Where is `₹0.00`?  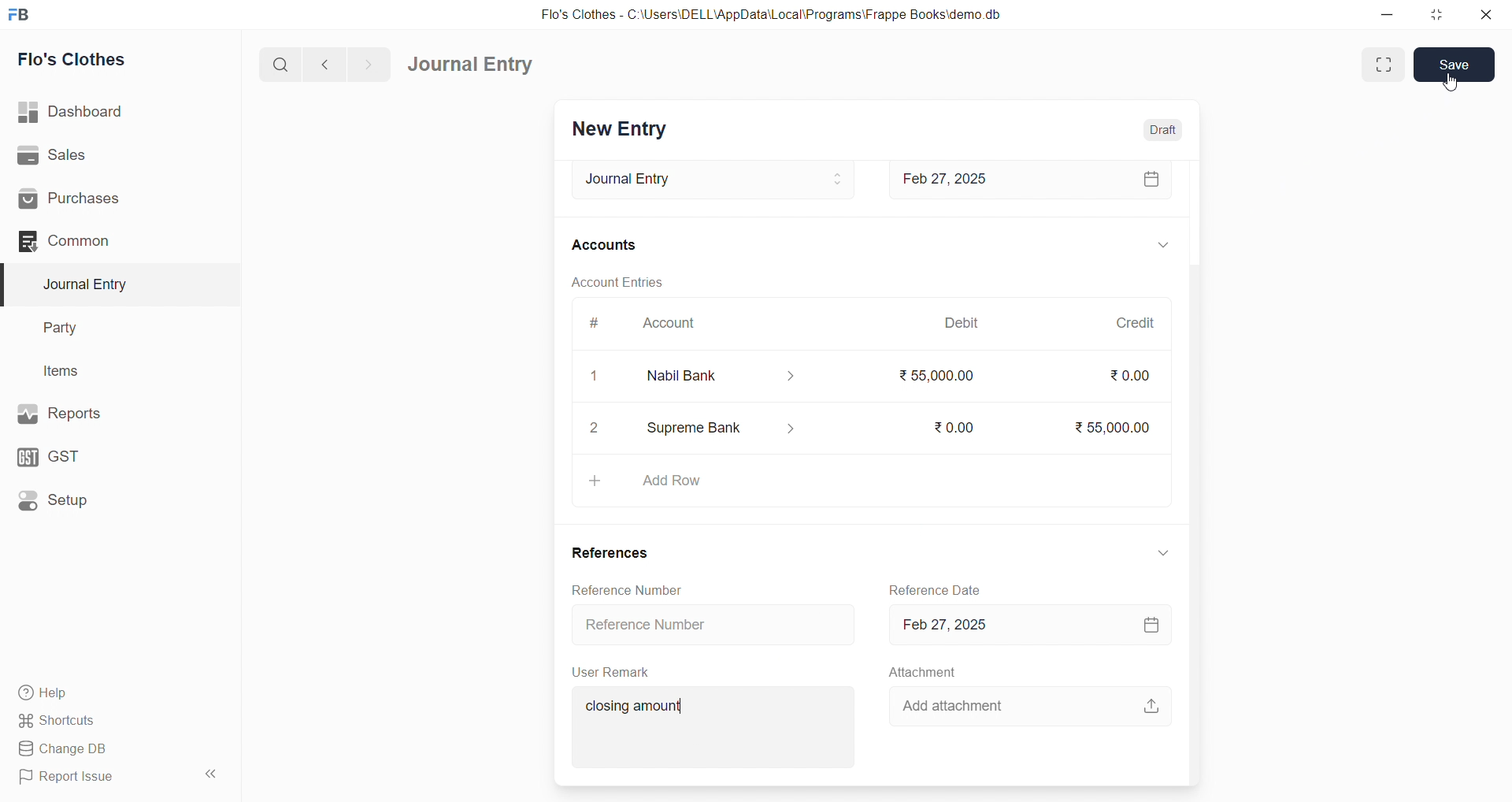
₹0.00 is located at coordinates (949, 426).